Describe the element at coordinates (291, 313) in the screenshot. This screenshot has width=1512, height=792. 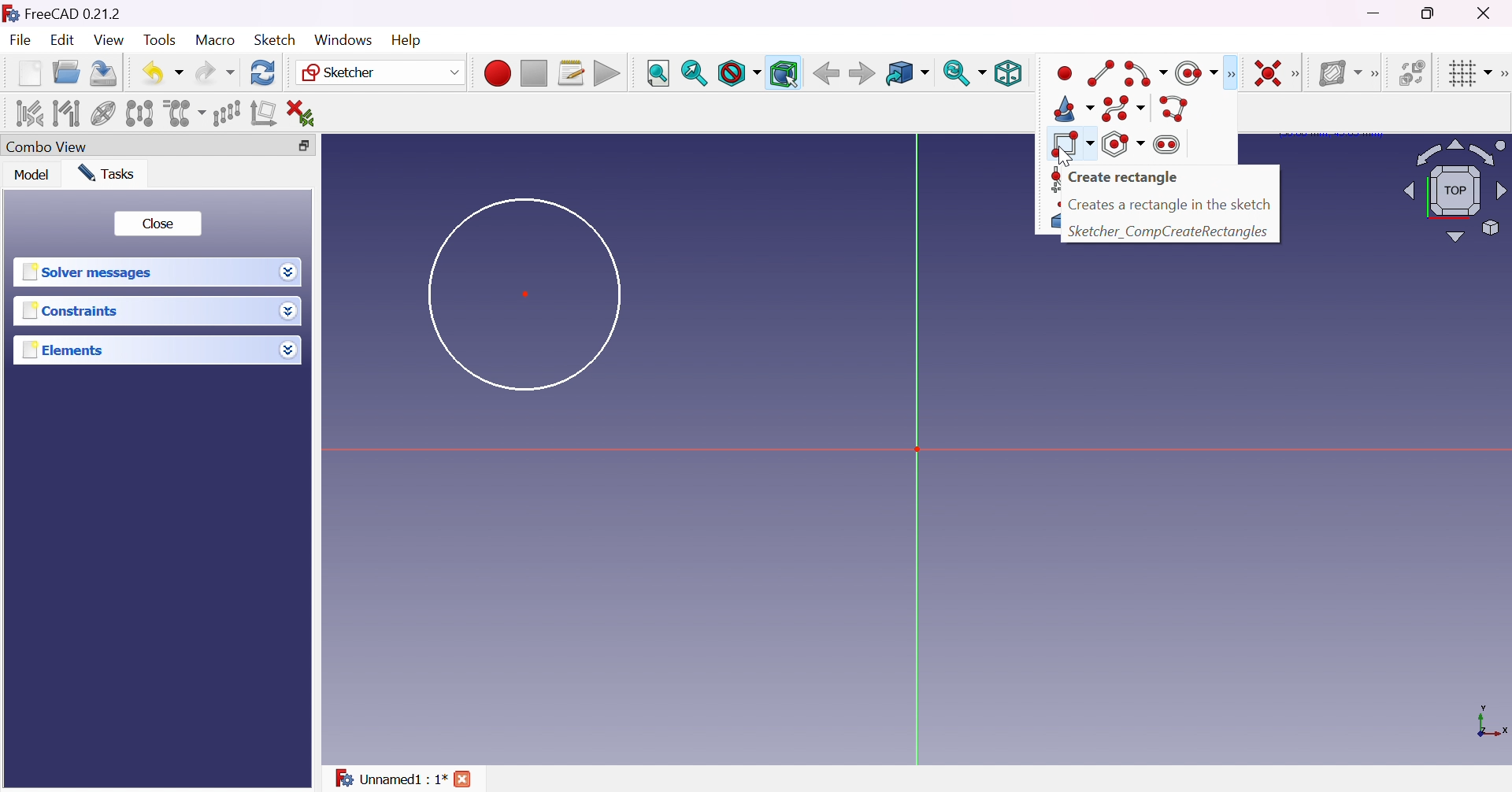
I see `Drop` at that location.